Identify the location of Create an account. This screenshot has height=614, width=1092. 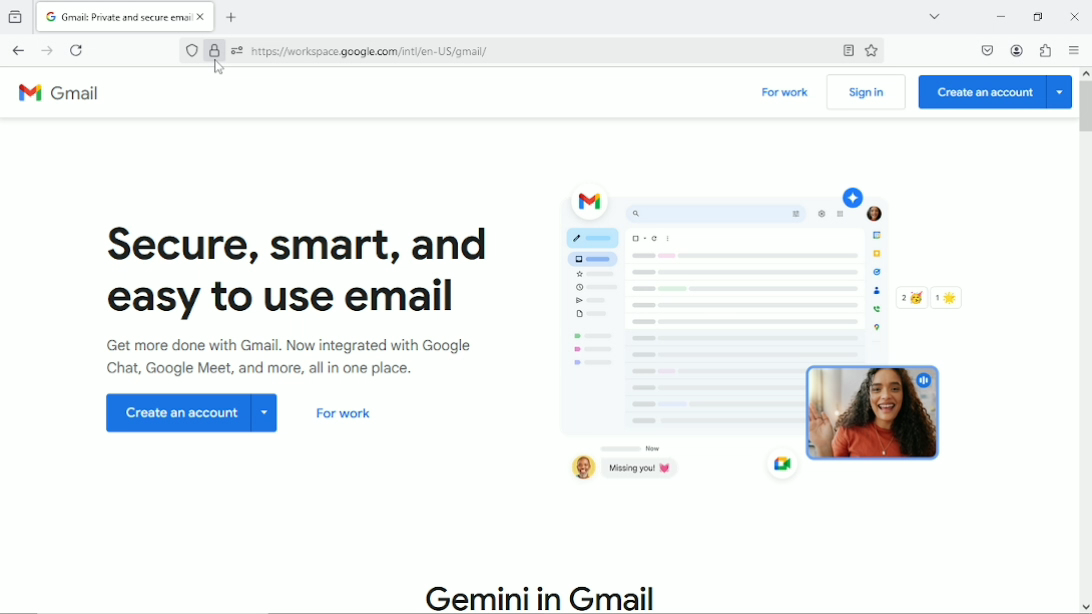
(191, 412).